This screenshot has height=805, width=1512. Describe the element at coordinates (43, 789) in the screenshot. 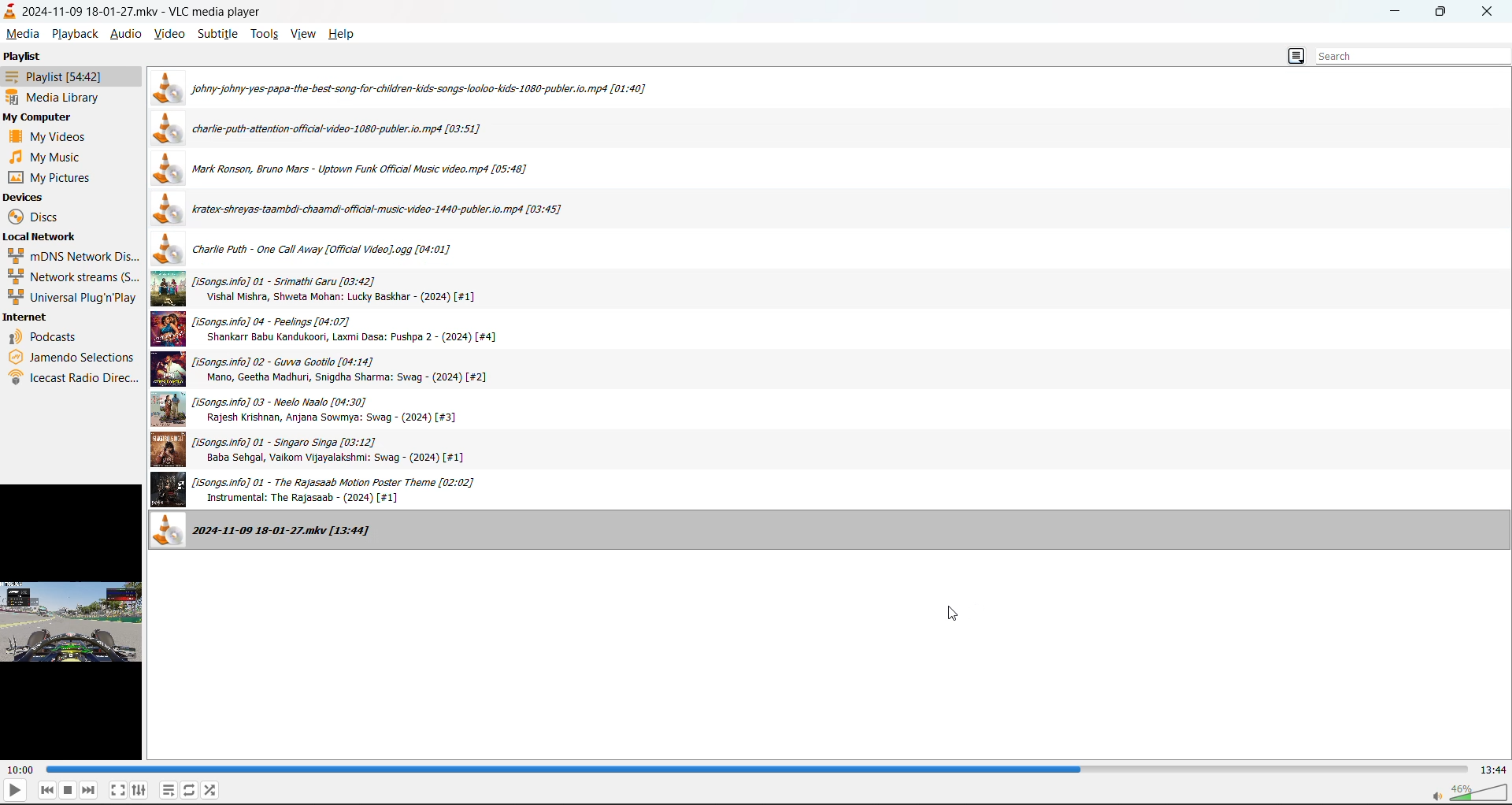

I see `previous` at that location.